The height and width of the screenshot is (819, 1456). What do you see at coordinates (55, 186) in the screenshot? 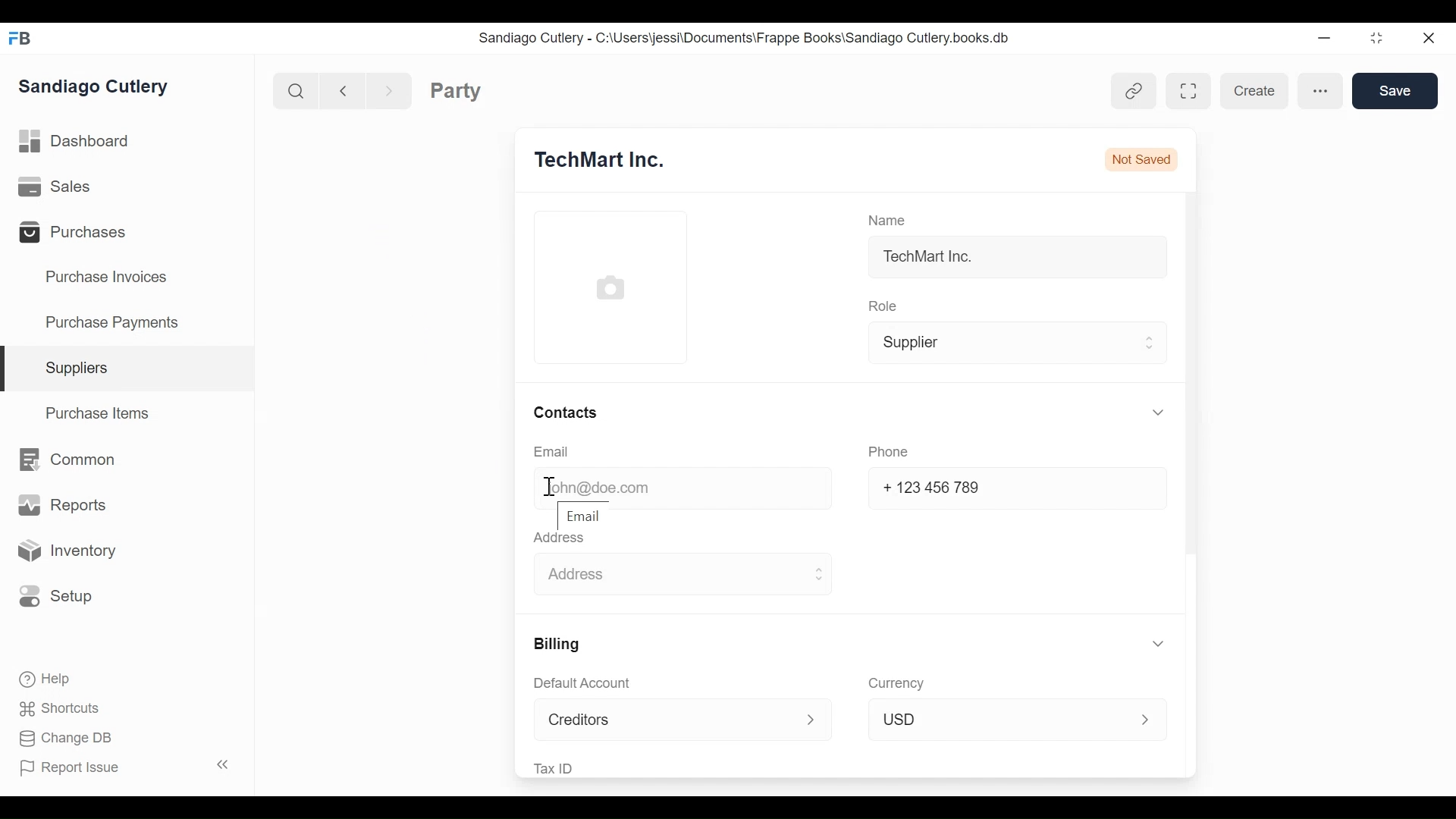
I see `Sales` at bounding box center [55, 186].